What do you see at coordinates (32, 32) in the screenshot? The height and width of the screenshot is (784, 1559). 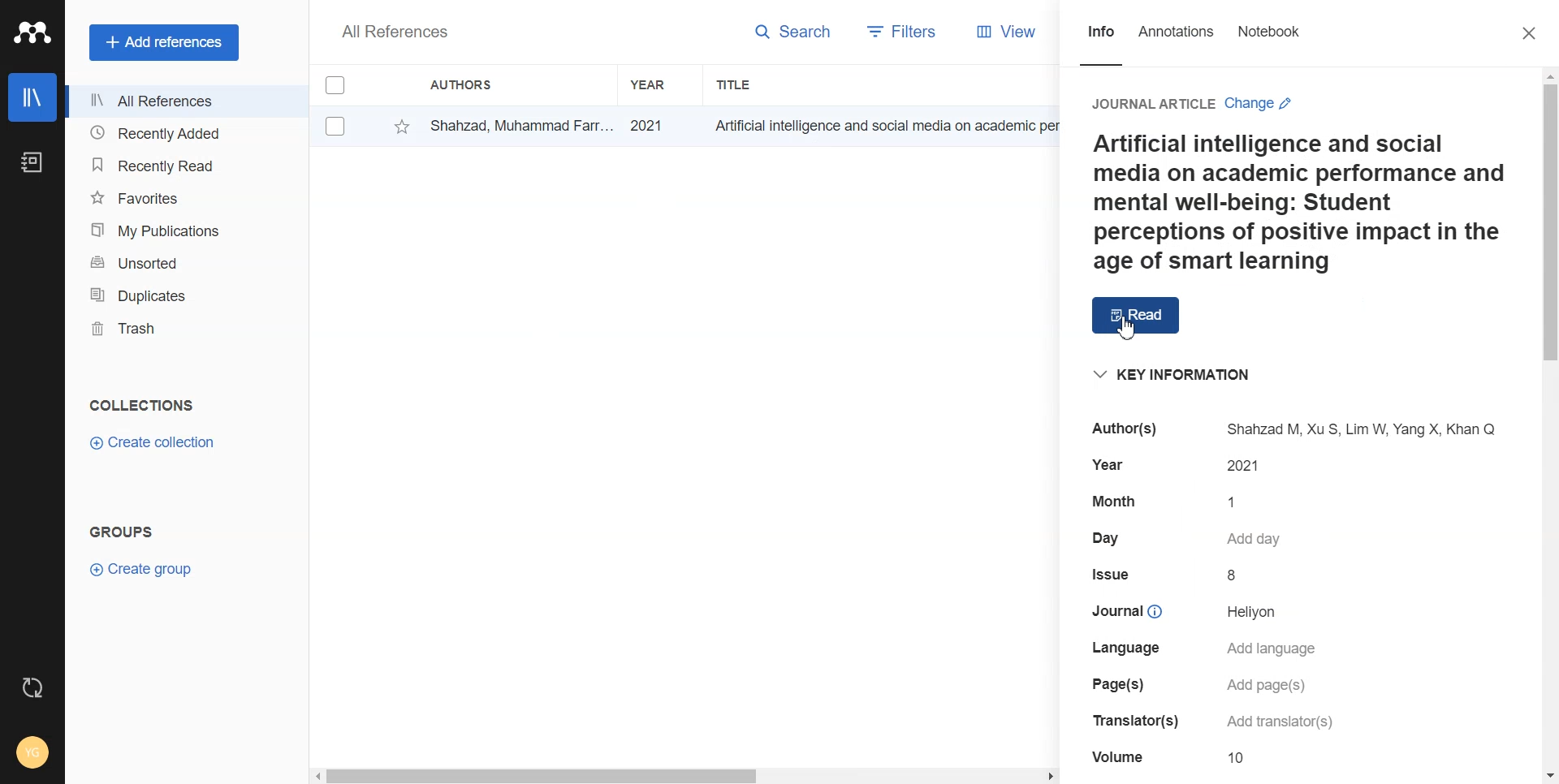 I see `Logo` at bounding box center [32, 32].